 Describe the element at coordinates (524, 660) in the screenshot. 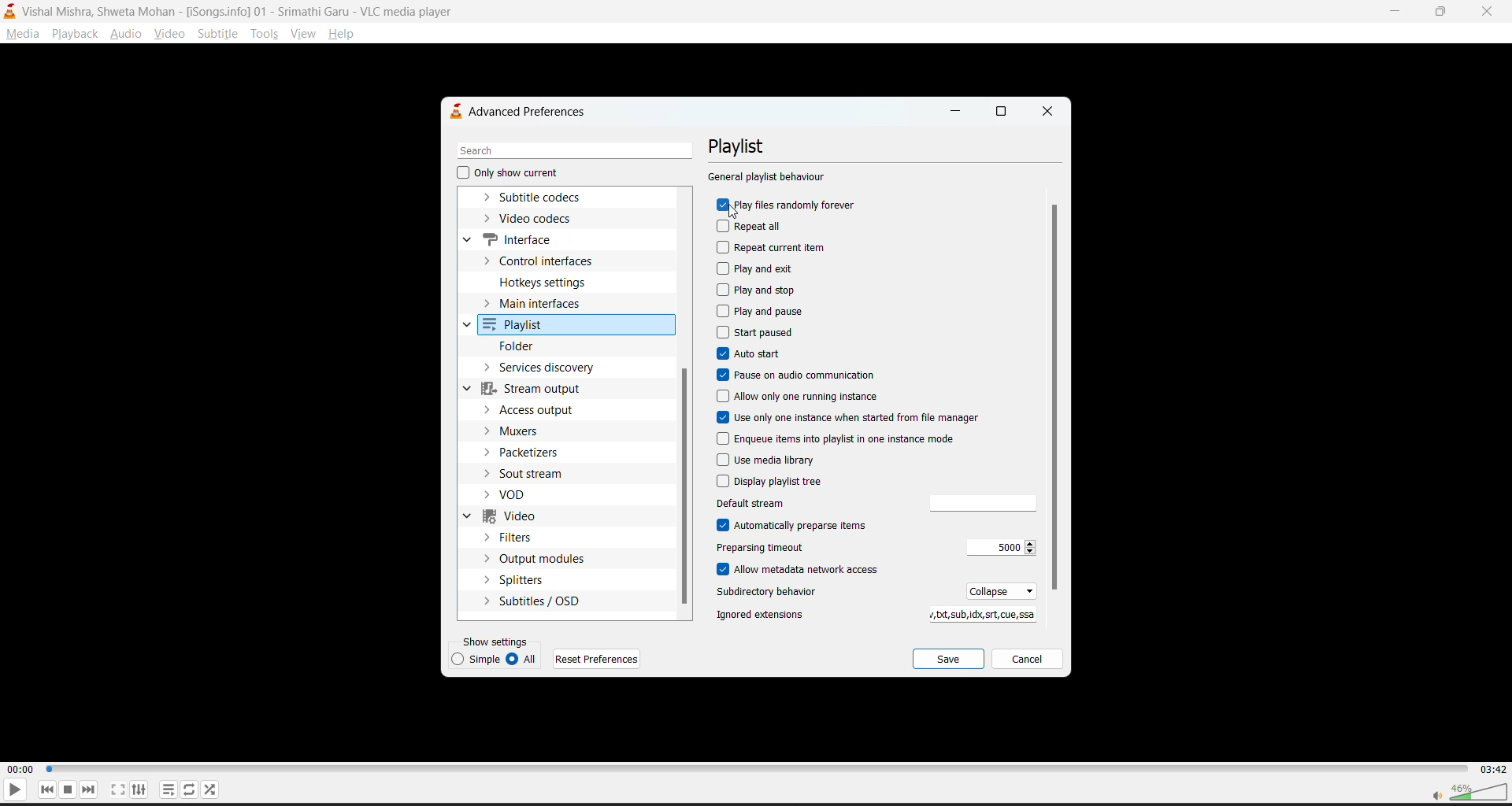

I see `all` at that location.